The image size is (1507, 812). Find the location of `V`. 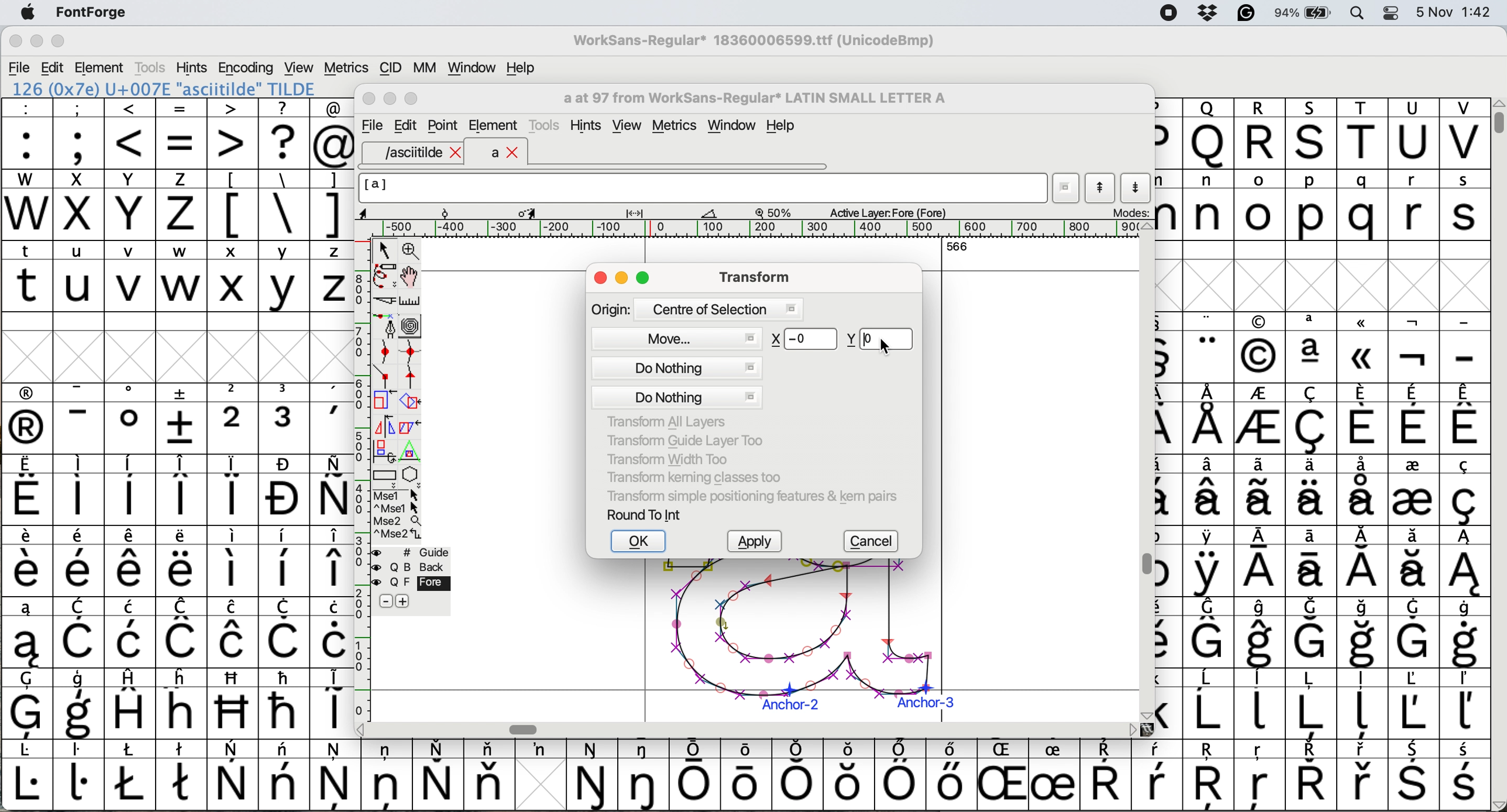

V is located at coordinates (1464, 134).